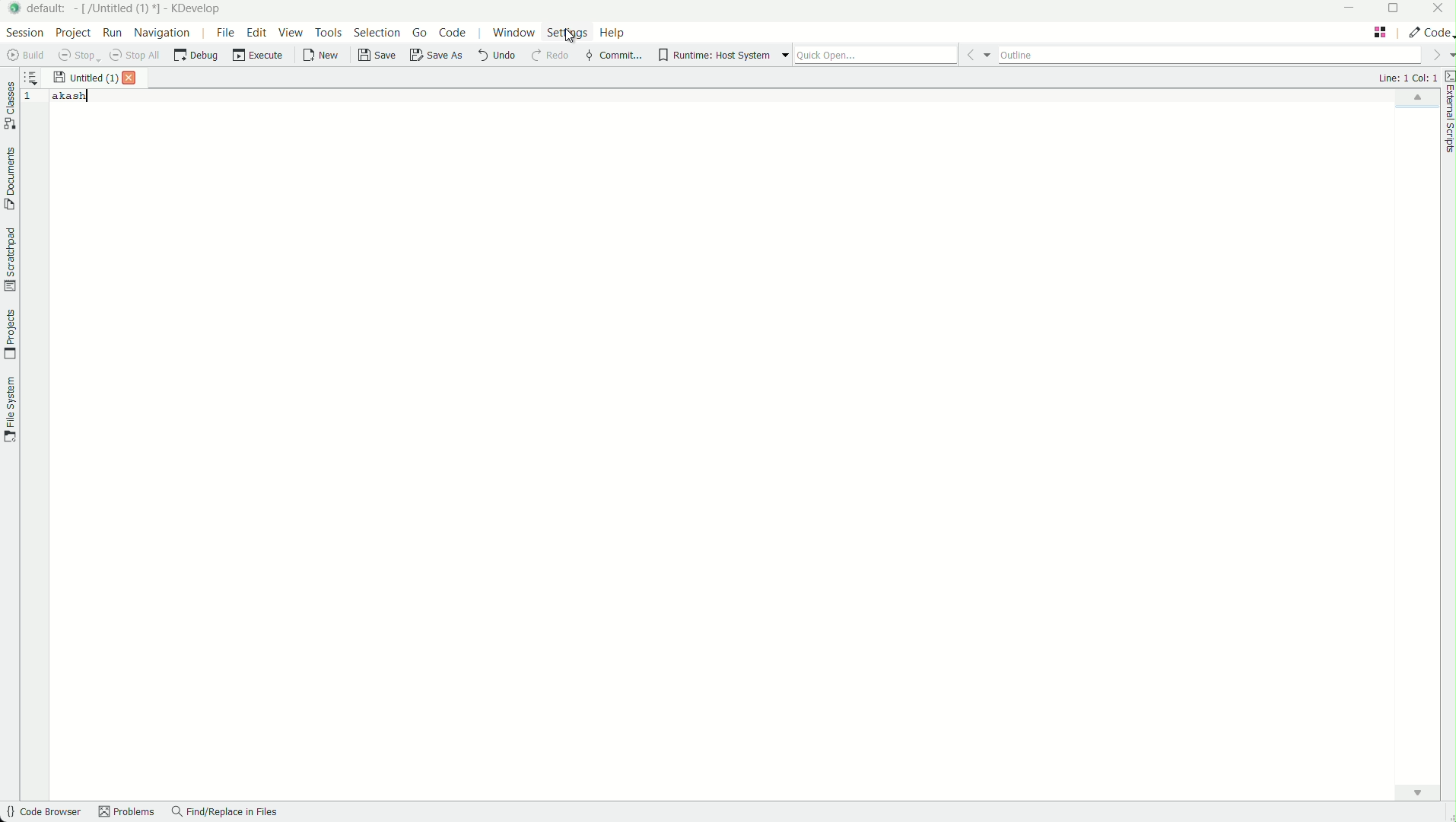 The width and height of the screenshot is (1456, 822). Describe the element at coordinates (259, 56) in the screenshot. I see `execute` at that location.